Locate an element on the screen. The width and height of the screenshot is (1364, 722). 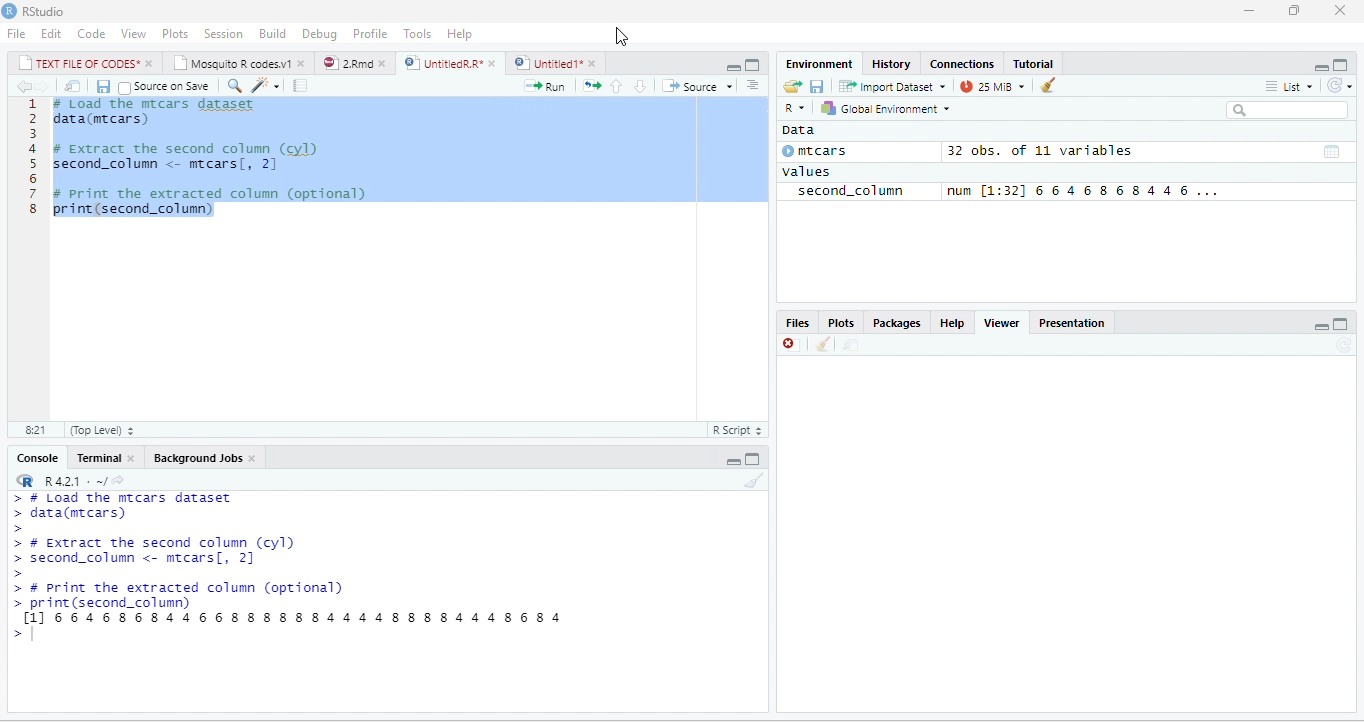
Session is located at coordinates (221, 32).